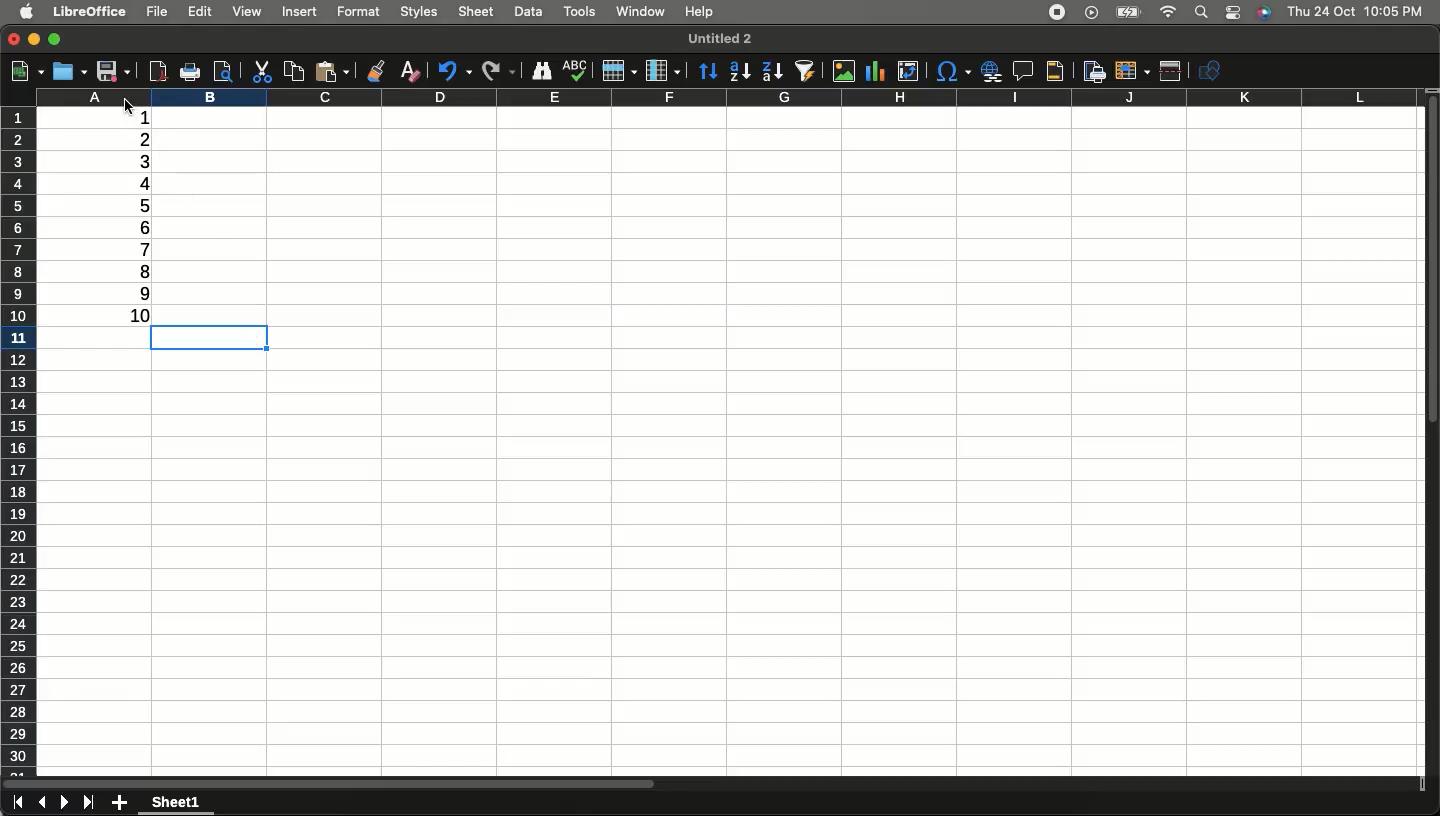 The width and height of the screenshot is (1440, 816). What do you see at coordinates (378, 69) in the screenshot?
I see `Clone formatting` at bounding box center [378, 69].